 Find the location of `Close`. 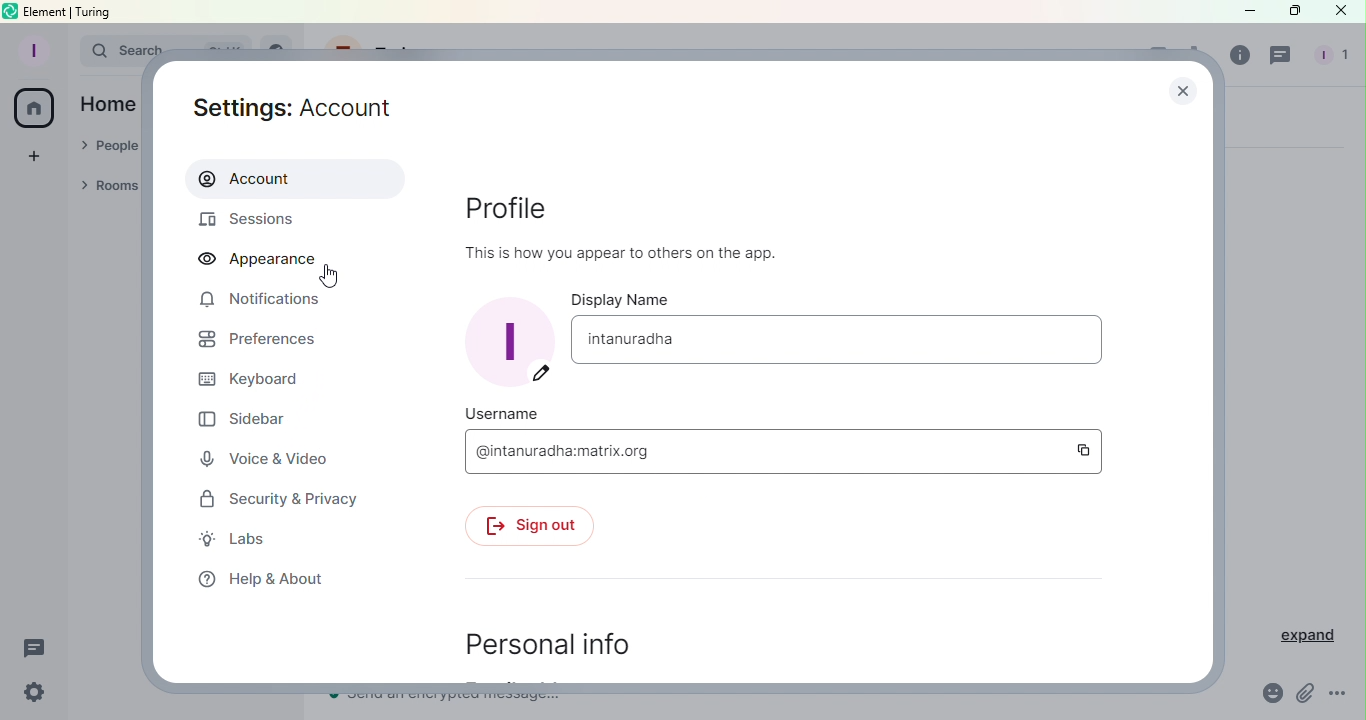

Close is located at coordinates (1340, 14).